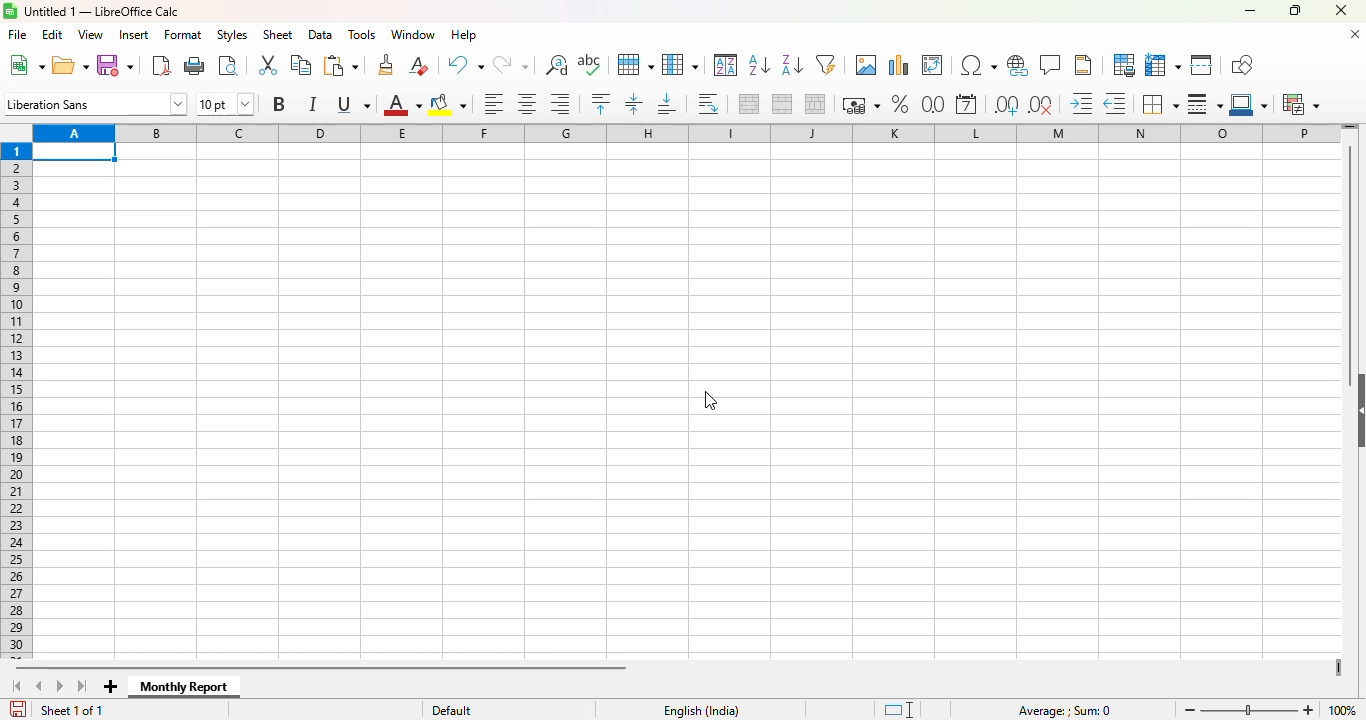 The height and width of the screenshot is (720, 1366). I want to click on column, so click(680, 65).